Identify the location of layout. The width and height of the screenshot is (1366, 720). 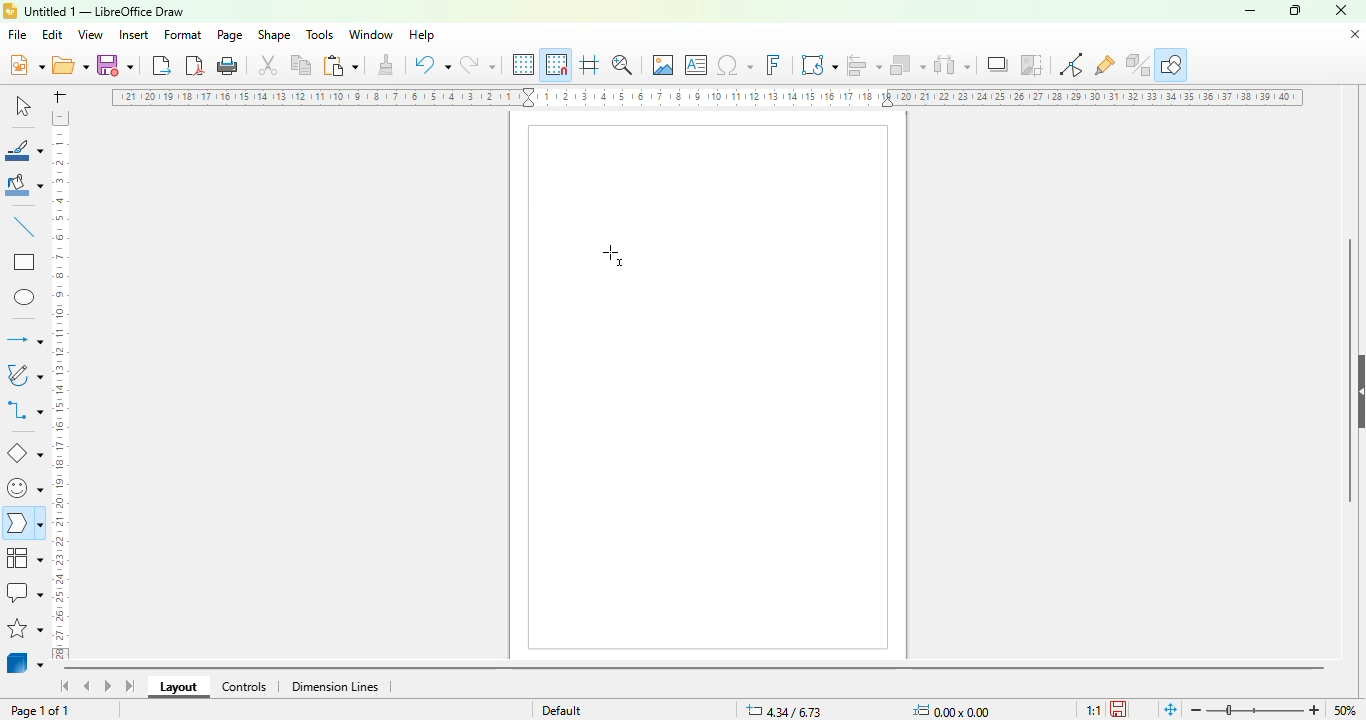
(178, 687).